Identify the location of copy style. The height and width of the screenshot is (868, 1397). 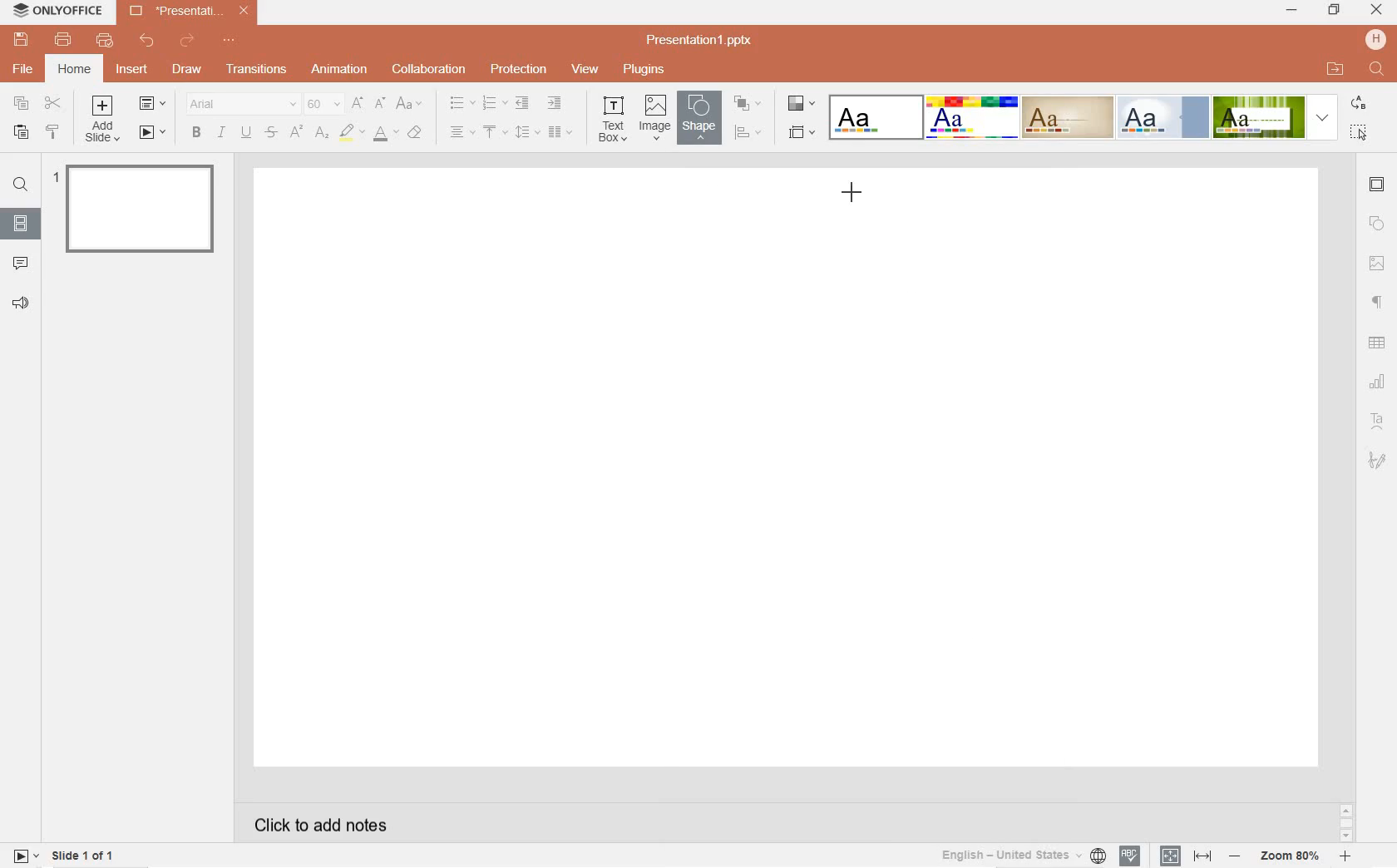
(54, 134).